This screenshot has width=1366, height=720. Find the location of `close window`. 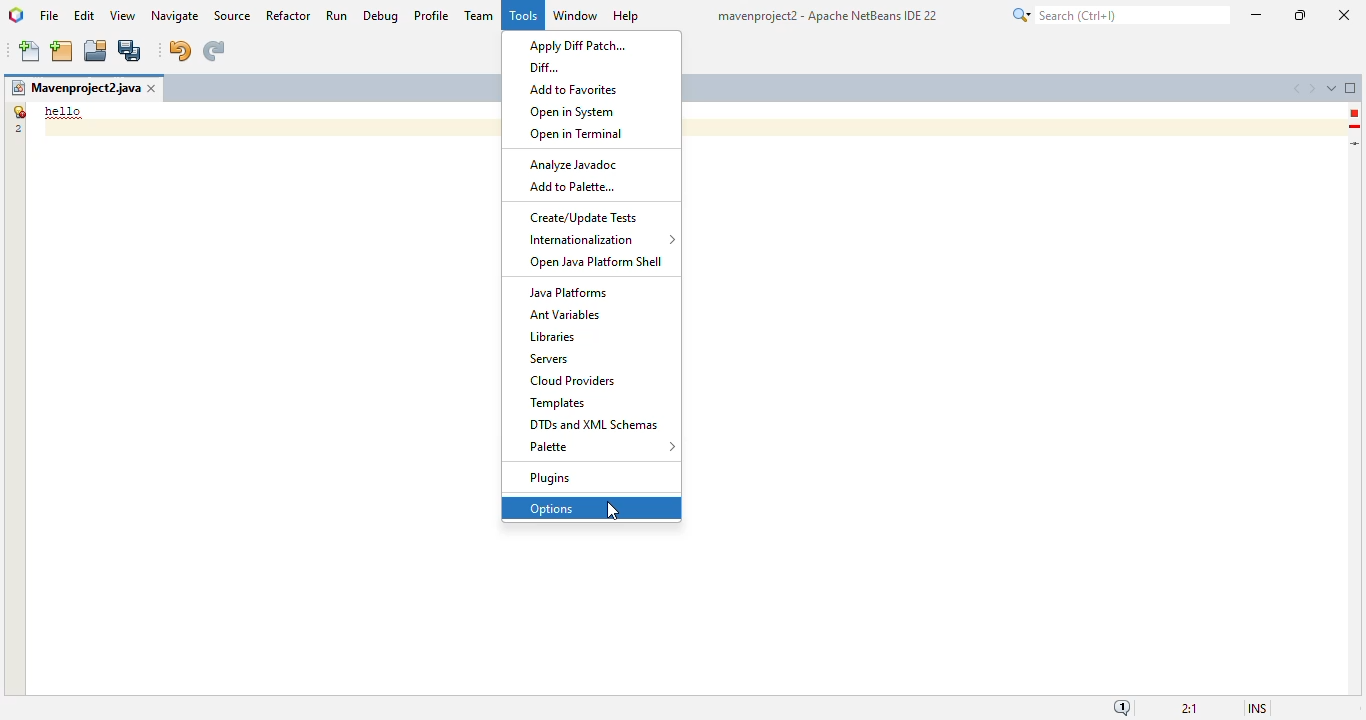

close window is located at coordinates (153, 88).